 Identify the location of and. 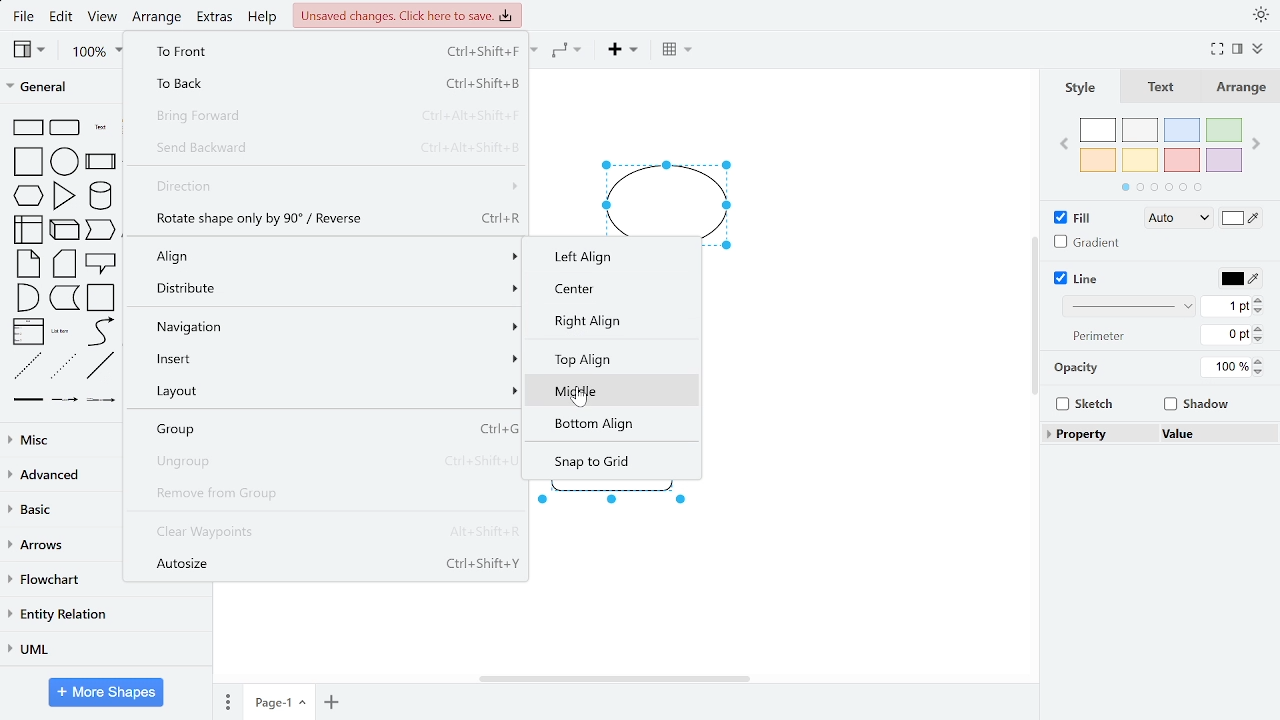
(26, 297).